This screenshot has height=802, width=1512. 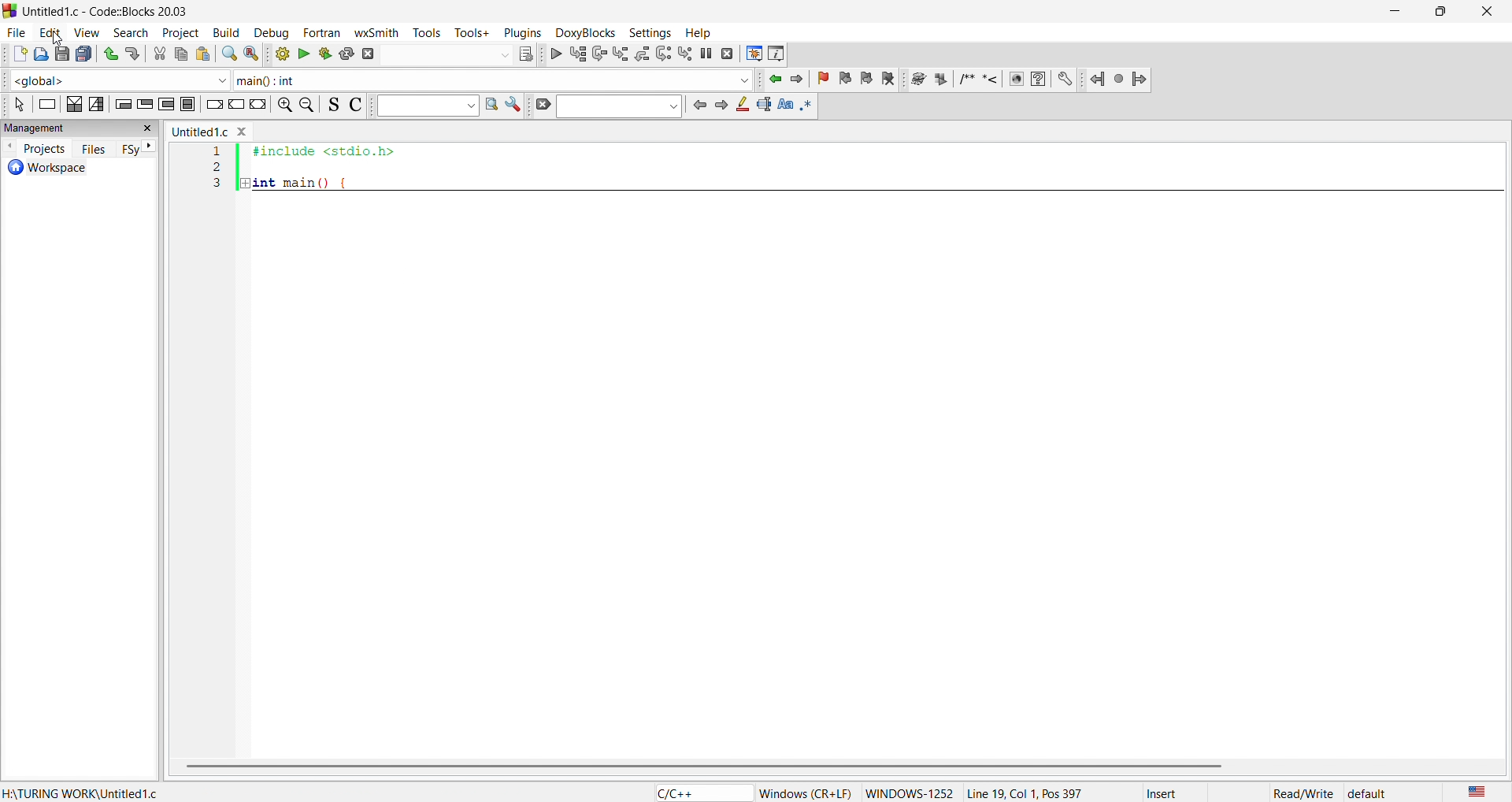 I want to click on debug/continue, so click(x=554, y=54).